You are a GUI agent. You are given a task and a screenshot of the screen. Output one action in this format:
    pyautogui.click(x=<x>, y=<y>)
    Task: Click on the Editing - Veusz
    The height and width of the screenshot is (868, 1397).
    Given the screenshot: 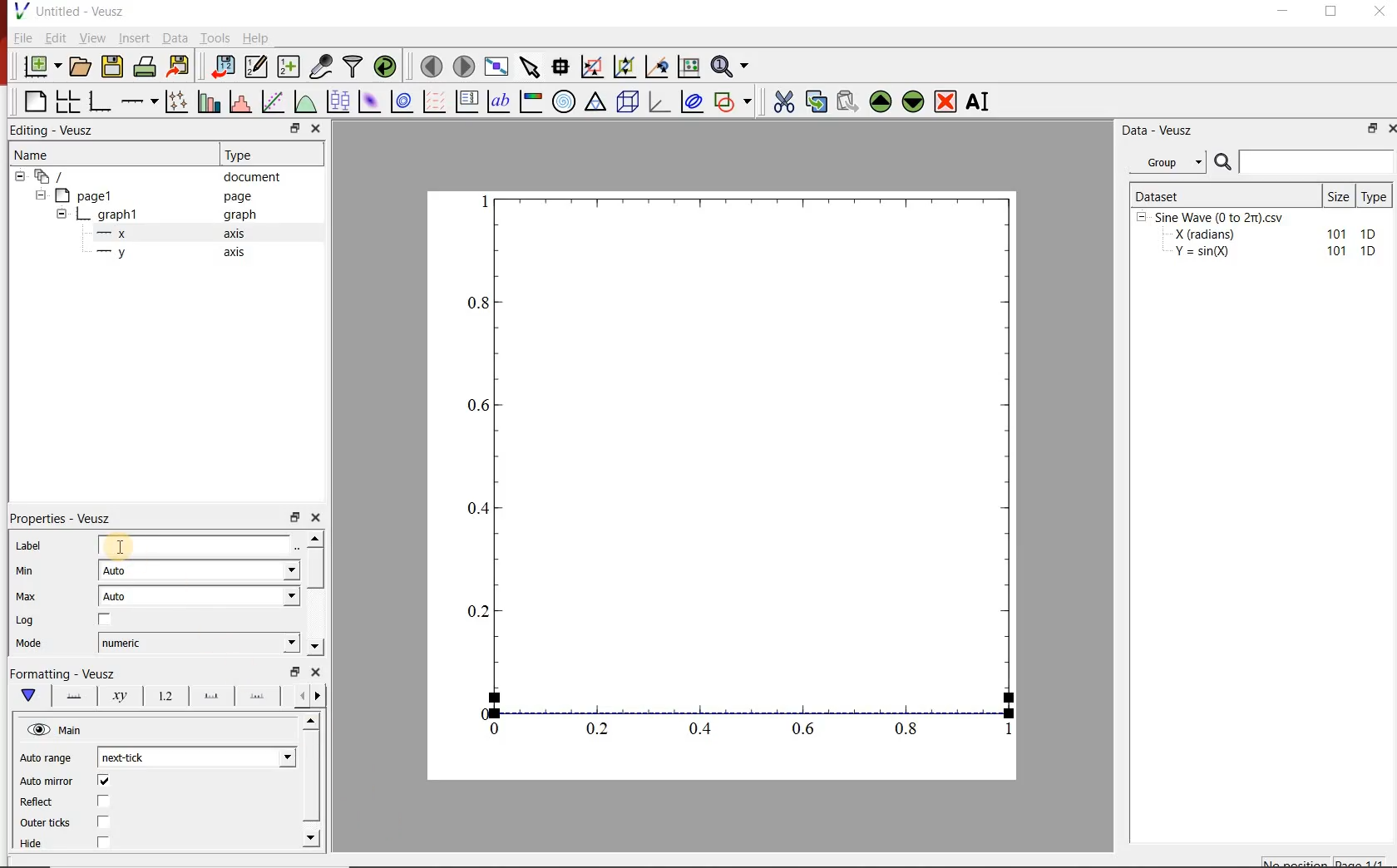 What is the action you would take?
    pyautogui.click(x=55, y=131)
    